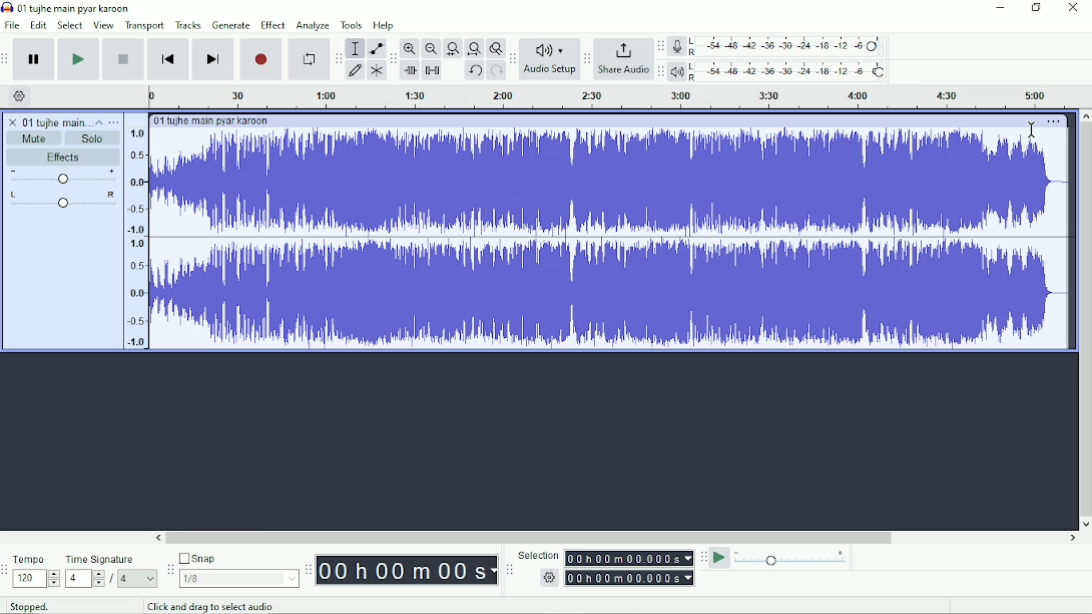 The width and height of the screenshot is (1092, 614). Describe the element at coordinates (496, 69) in the screenshot. I see `Redo` at that location.